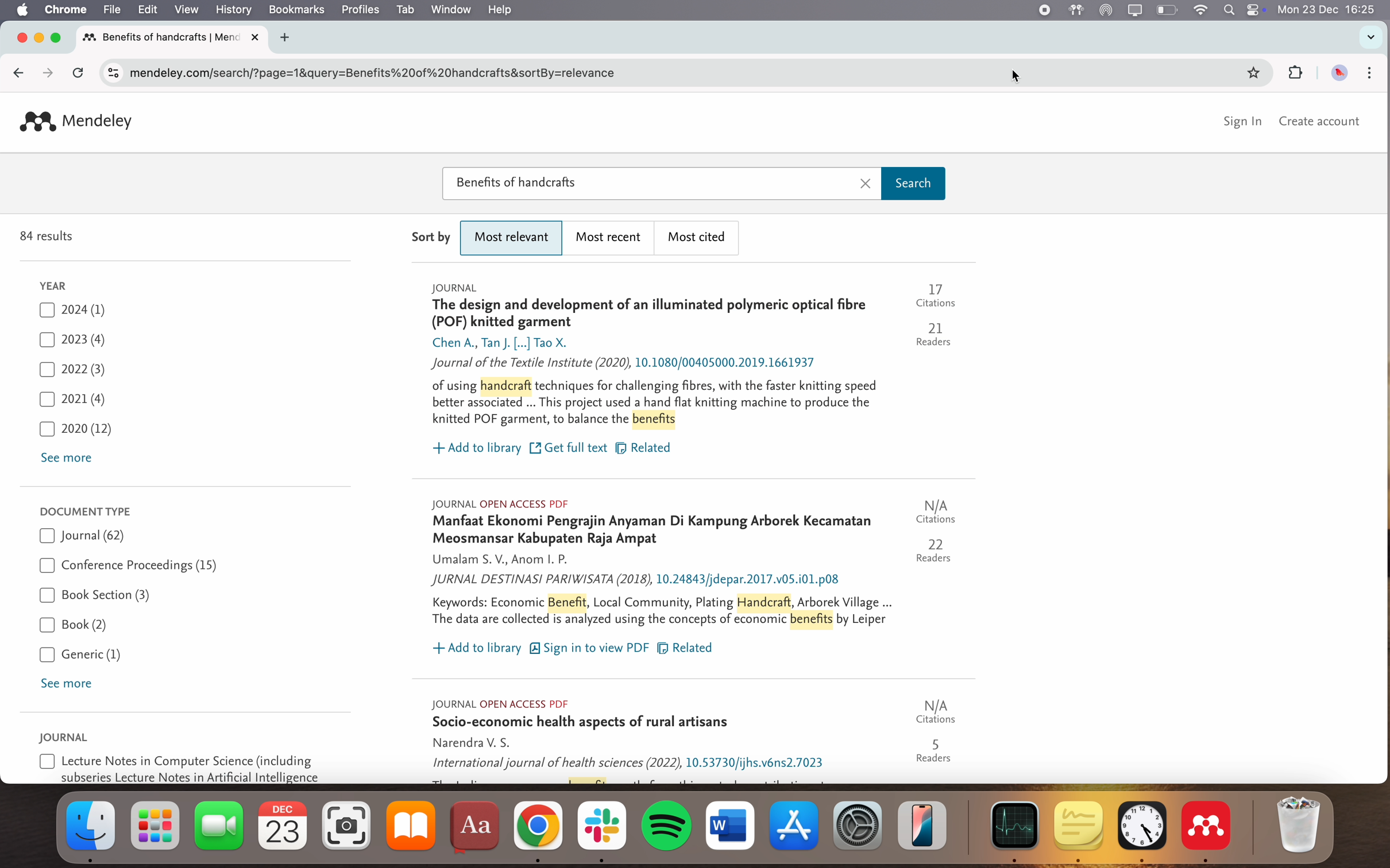 This screenshot has width=1390, height=868. What do you see at coordinates (67, 684) in the screenshot?
I see `see more` at bounding box center [67, 684].